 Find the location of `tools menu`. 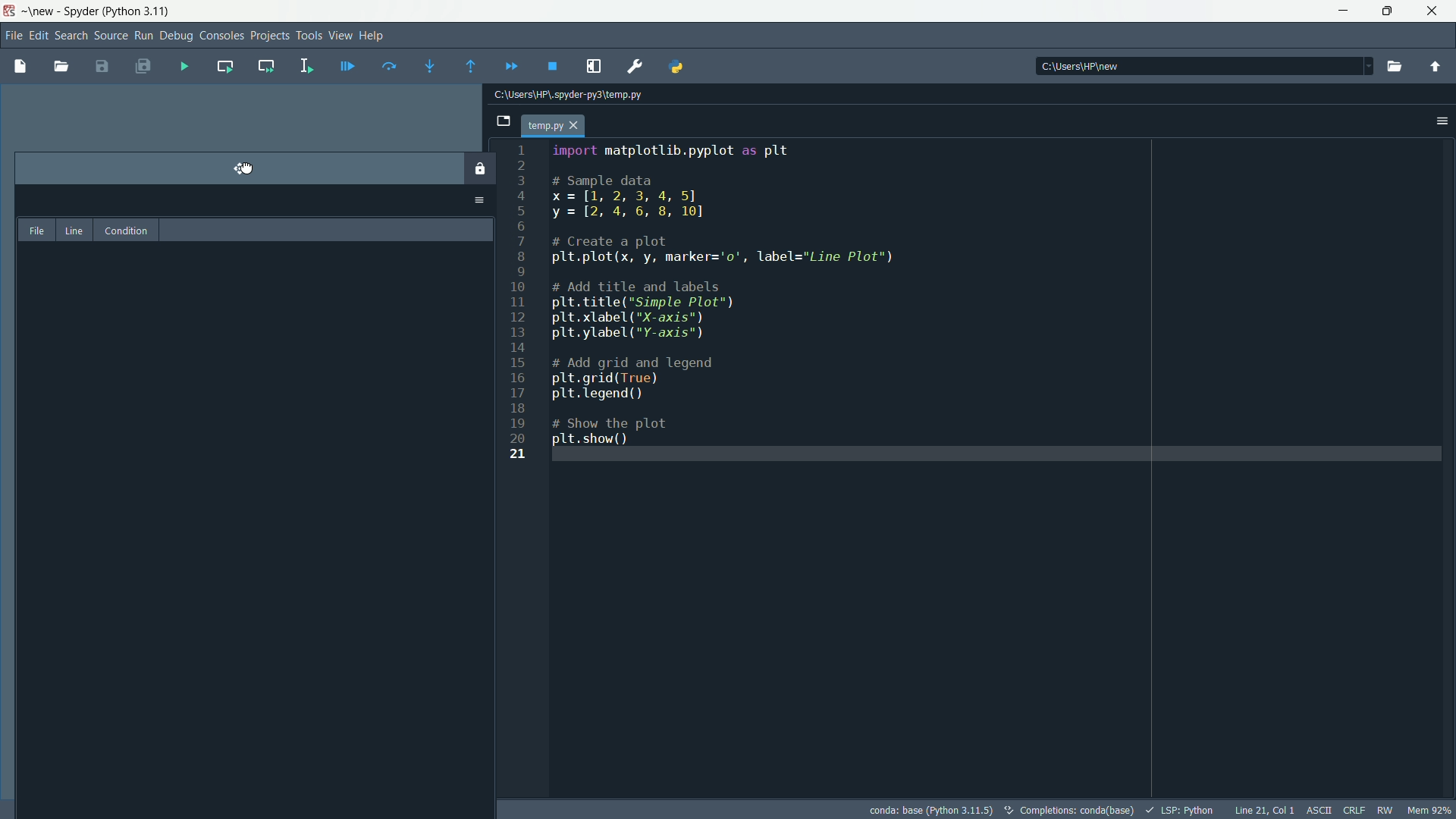

tools menu is located at coordinates (307, 35).